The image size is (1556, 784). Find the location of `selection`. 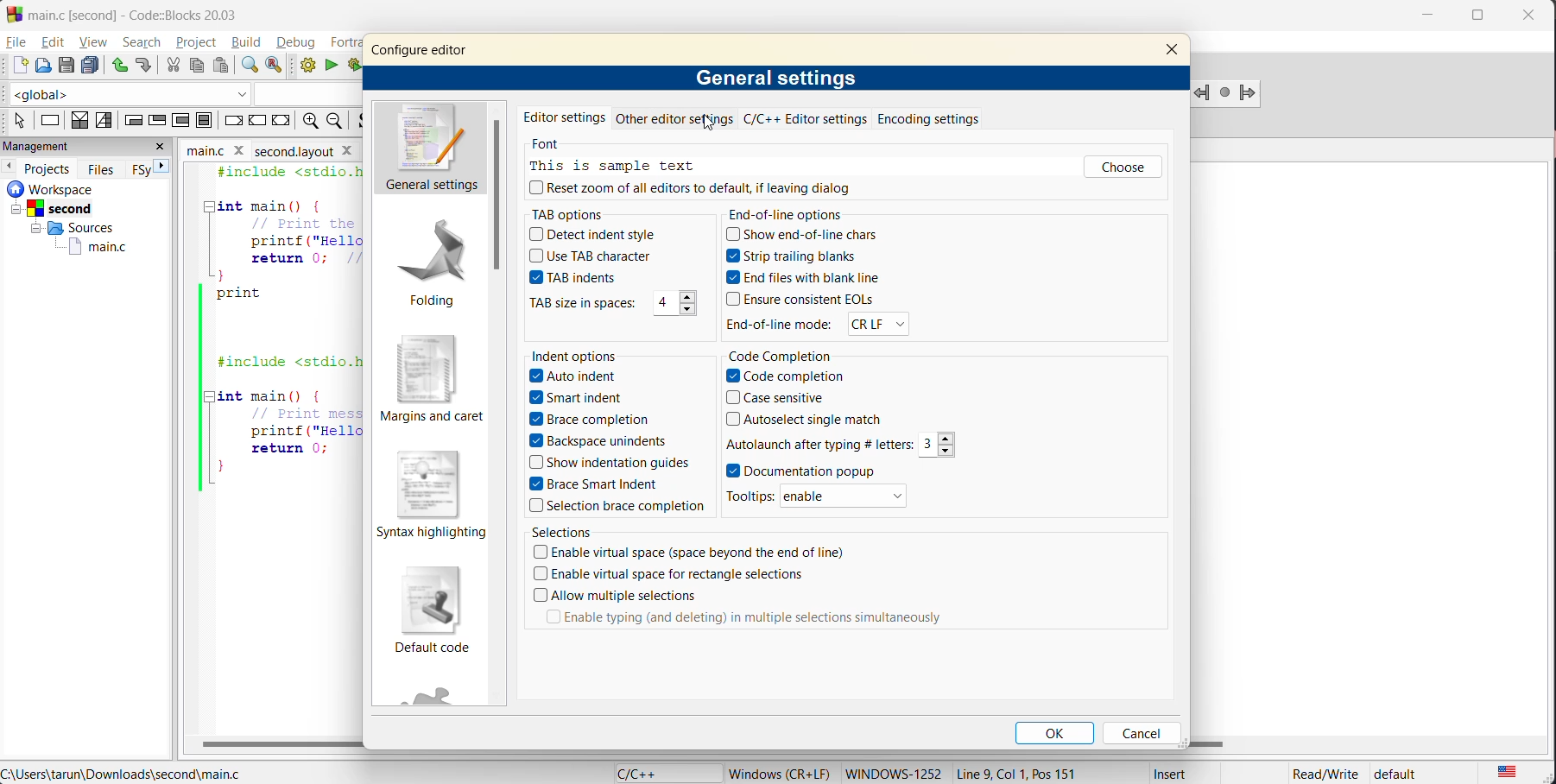

selection is located at coordinates (104, 122).